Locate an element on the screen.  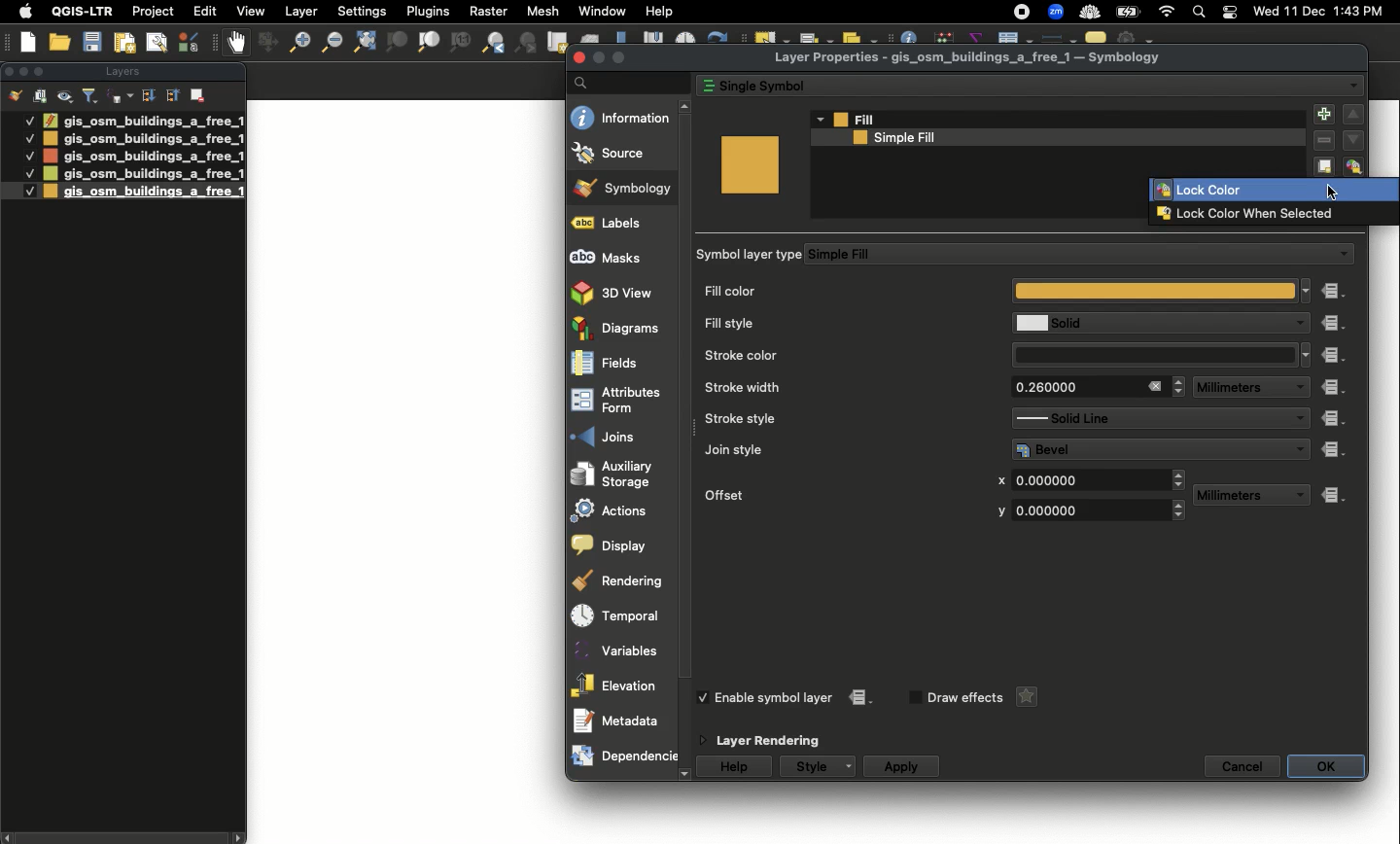
Checked is located at coordinates (27, 173).